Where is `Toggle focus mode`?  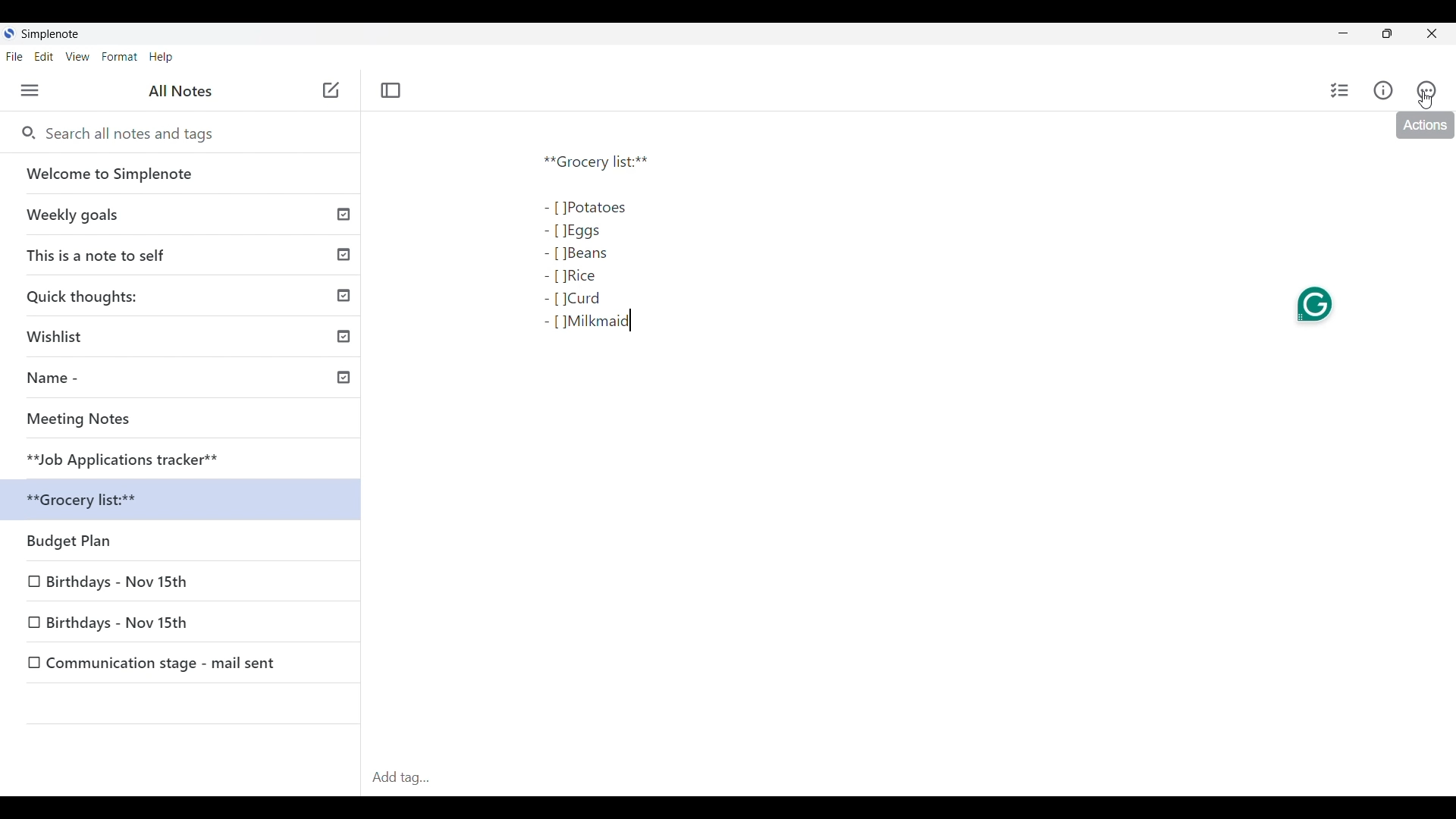 Toggle focus mode is located at coordinates (391, 90).